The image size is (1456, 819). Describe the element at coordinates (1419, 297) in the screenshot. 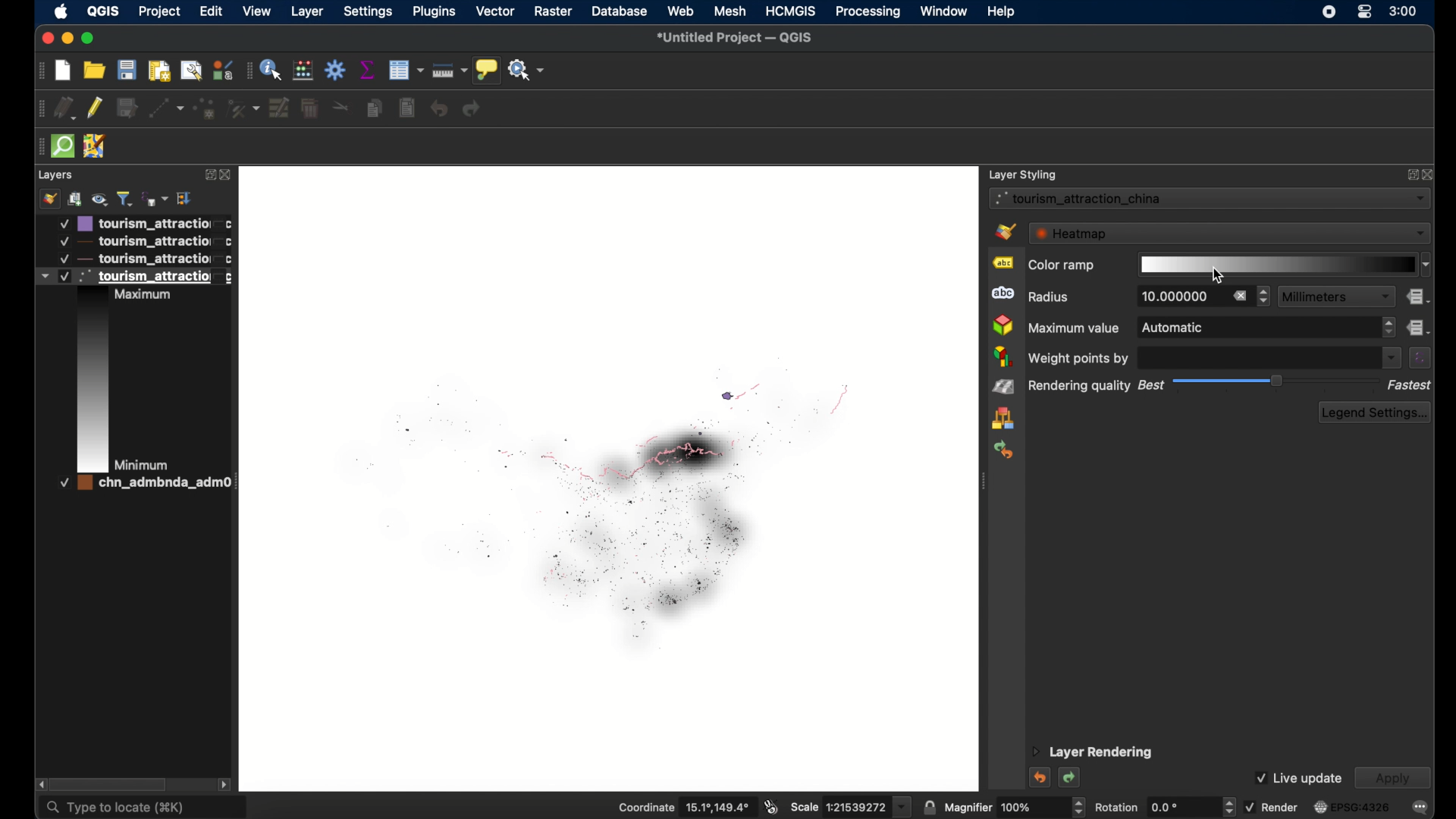

I see `data defined override` at that location.